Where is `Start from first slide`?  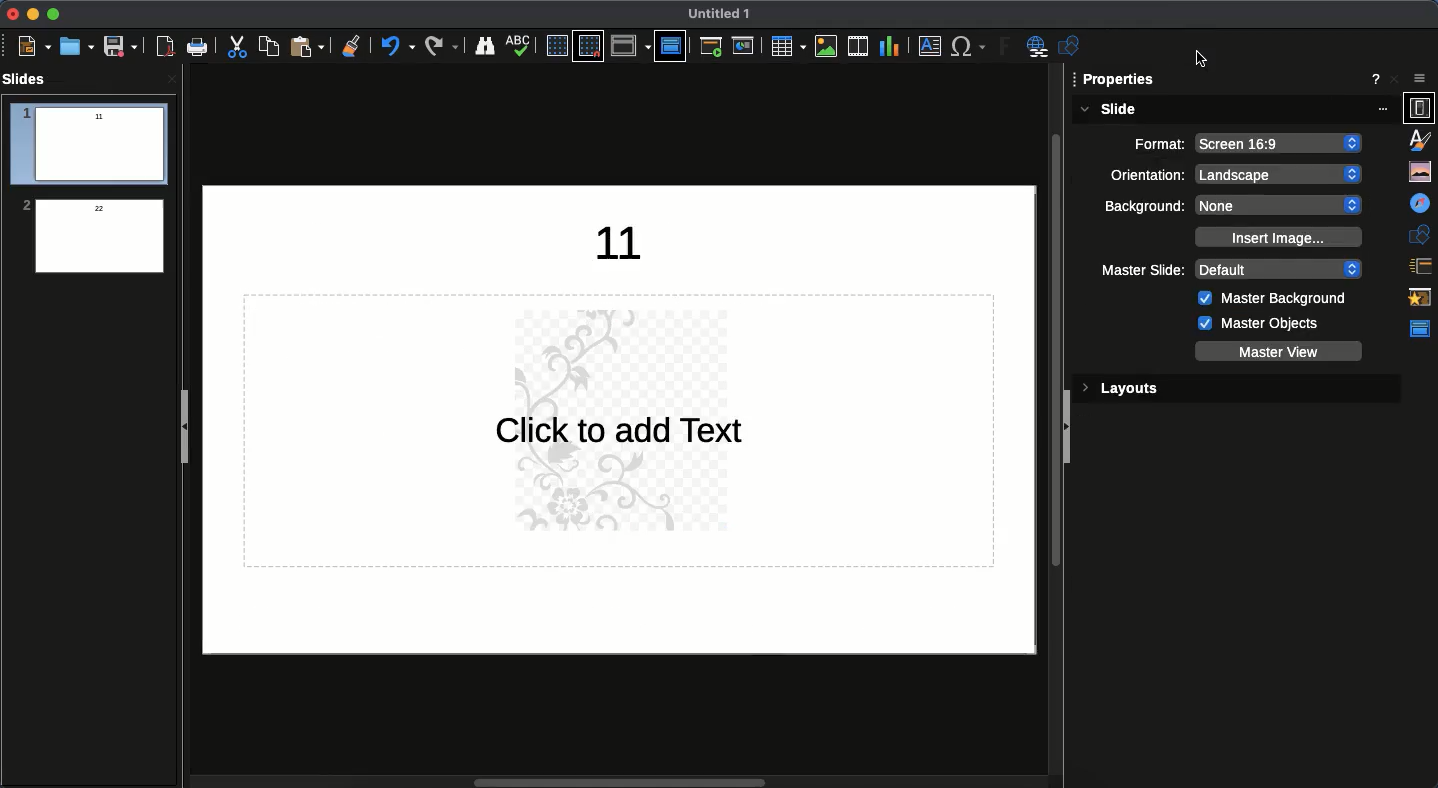 Start from first slide is located at coordinates (713, 49).